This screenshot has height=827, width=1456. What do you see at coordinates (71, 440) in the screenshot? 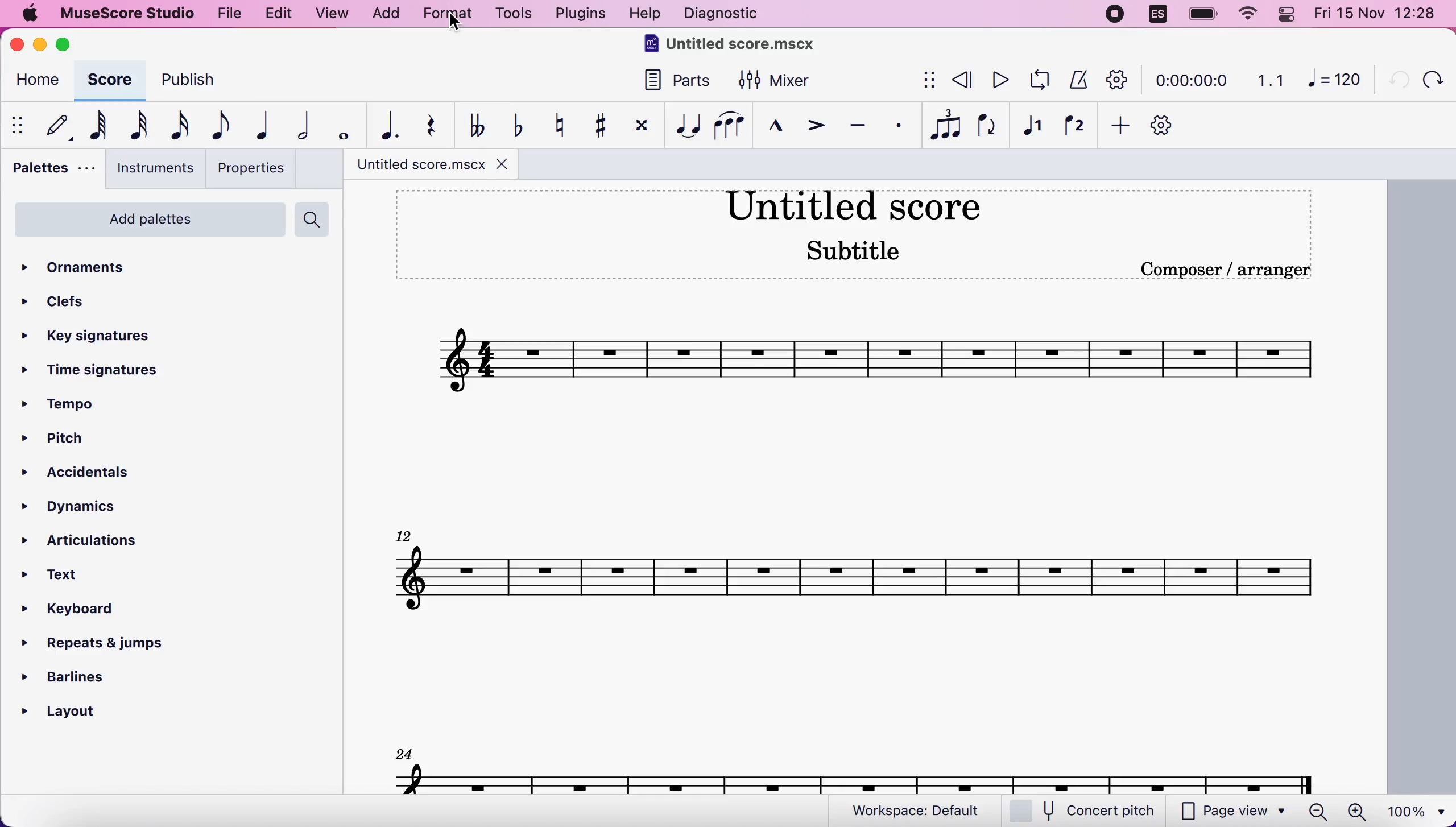
I see `pitch` at bounding box center [71, 440].